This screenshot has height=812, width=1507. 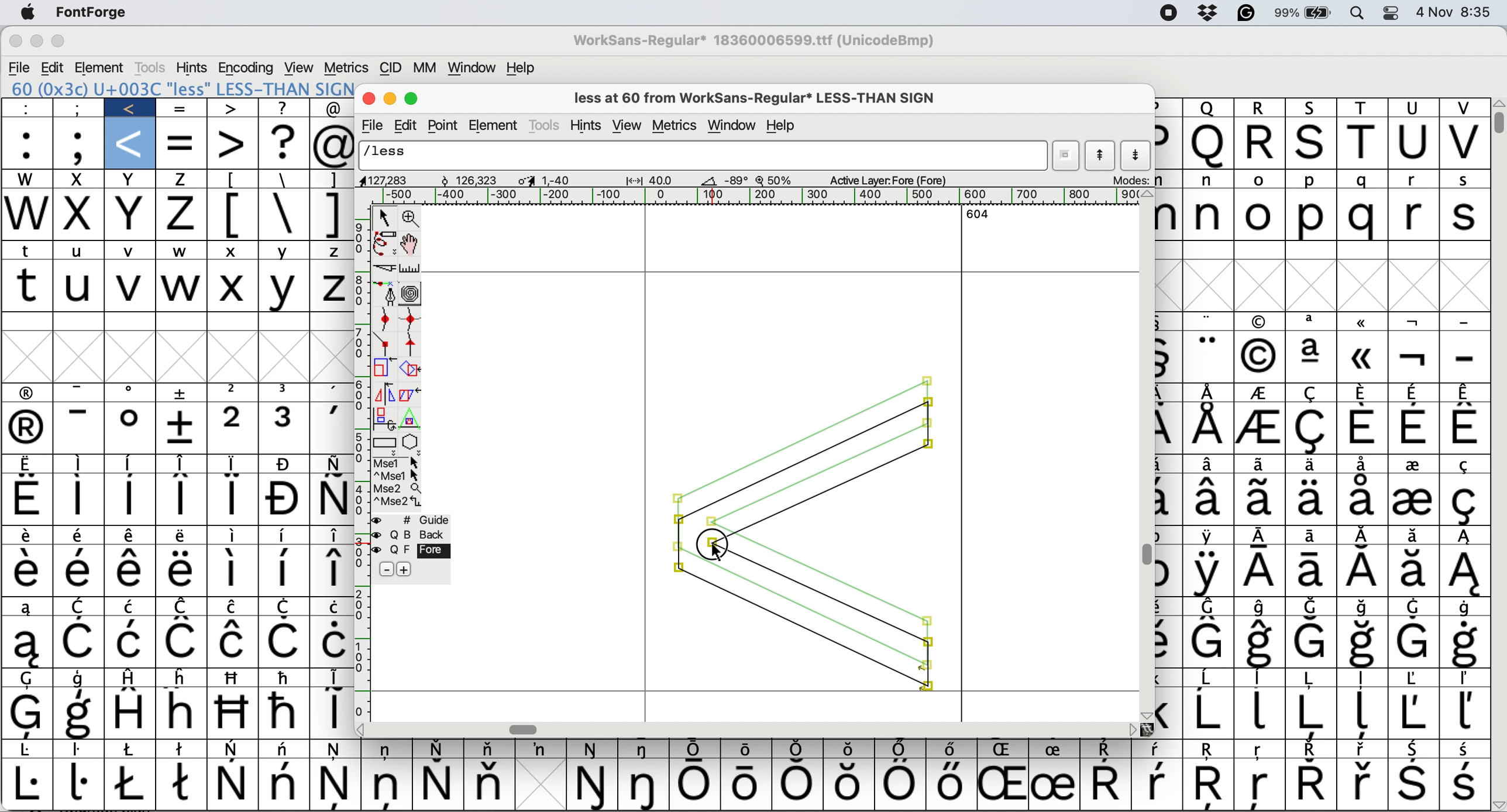 What do you see at coordinates (494, 748) in the screenshot?
I see `Symbol` at bounding box center [494, 748].